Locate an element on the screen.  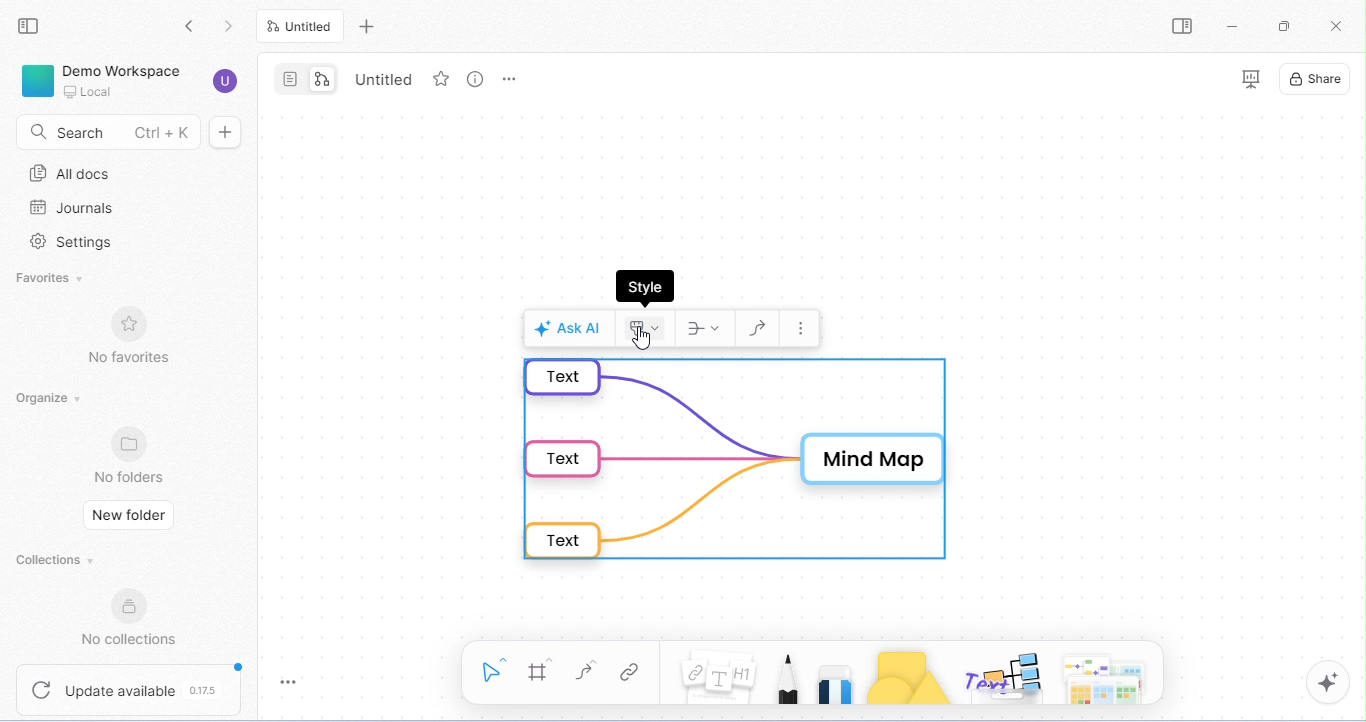
new doc is located at coordinates (227, 132).